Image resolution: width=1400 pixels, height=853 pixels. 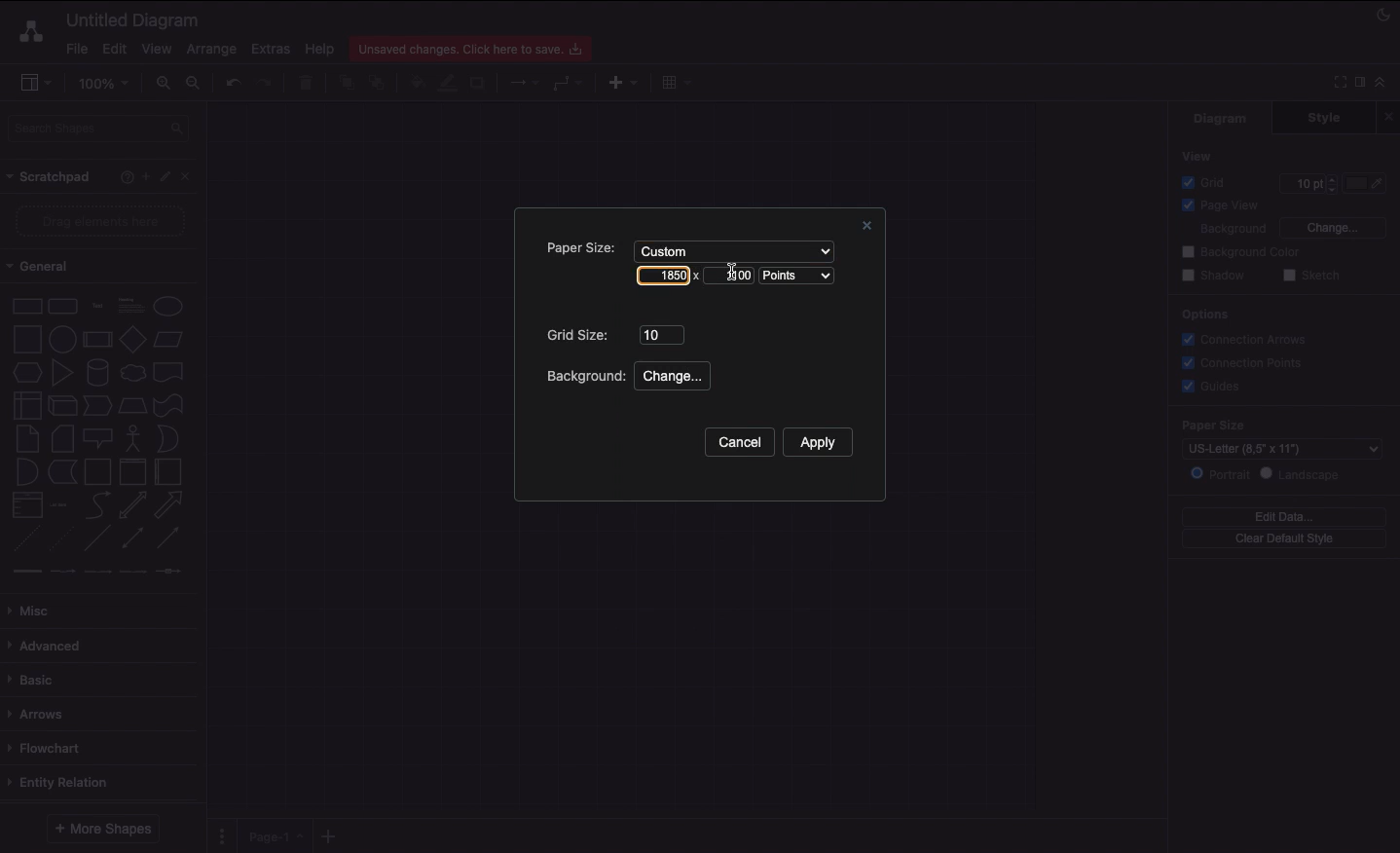 I want to click on Fill color, so click(x=416, y=85).